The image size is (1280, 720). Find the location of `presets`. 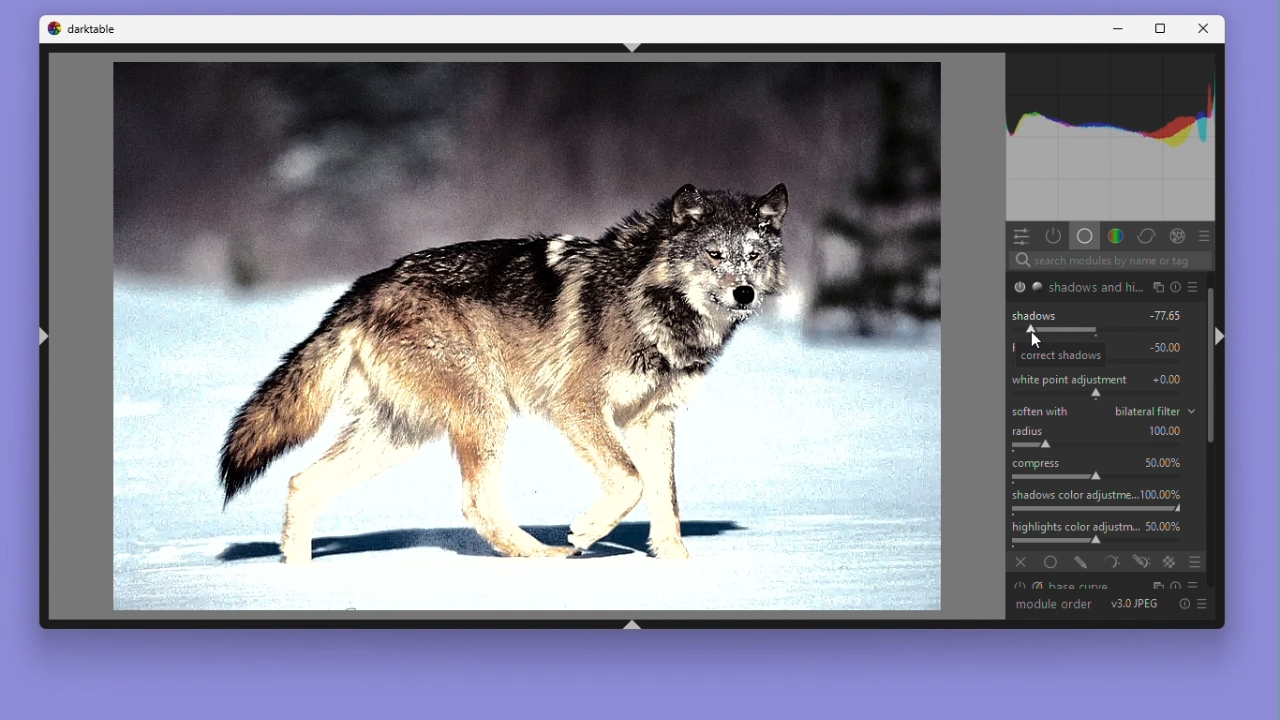

presets is located at coordinates (1196, 585).